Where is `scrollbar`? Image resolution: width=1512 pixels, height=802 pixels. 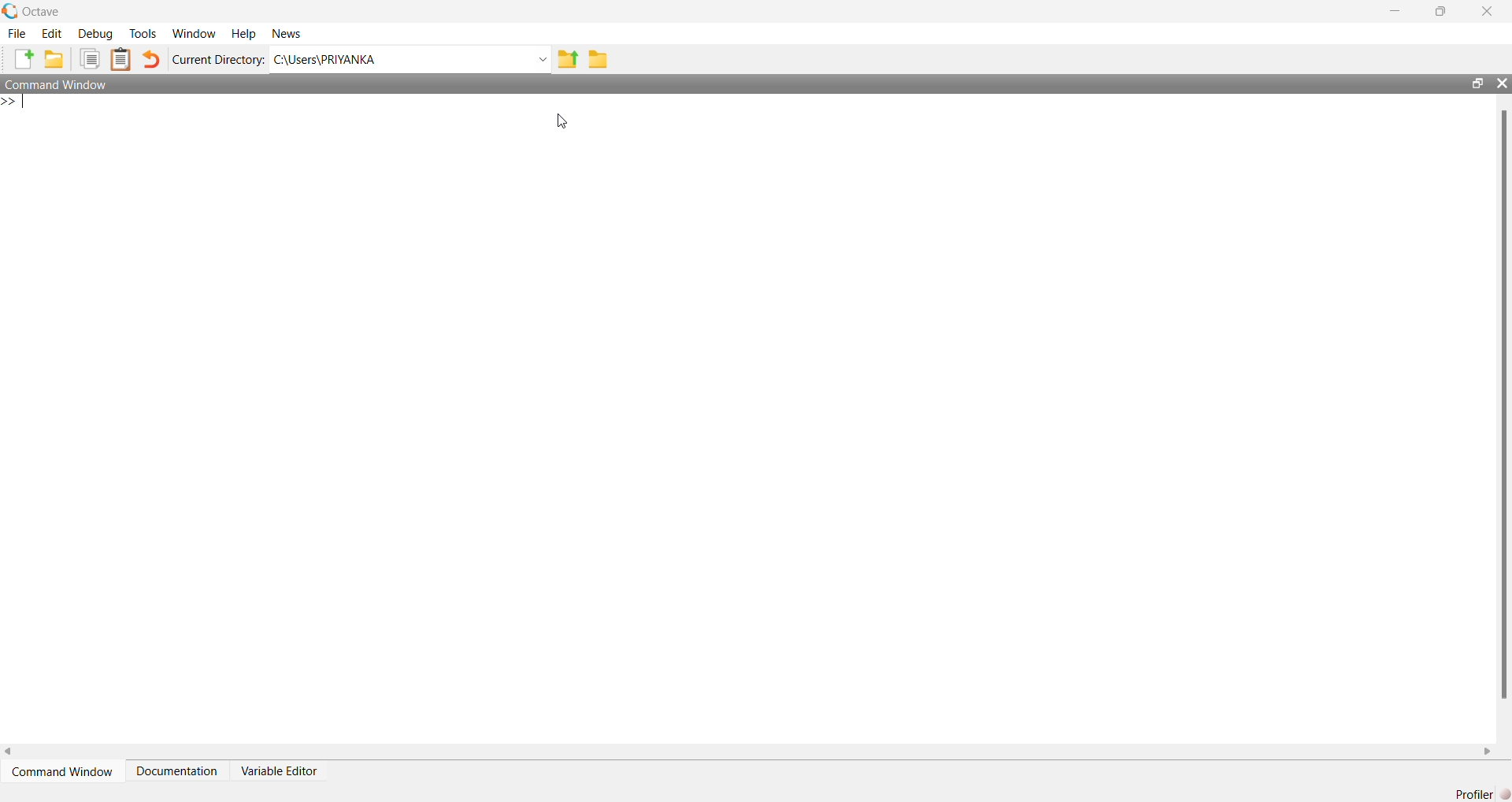
scrollbar is located at coordinates (1502, 405).